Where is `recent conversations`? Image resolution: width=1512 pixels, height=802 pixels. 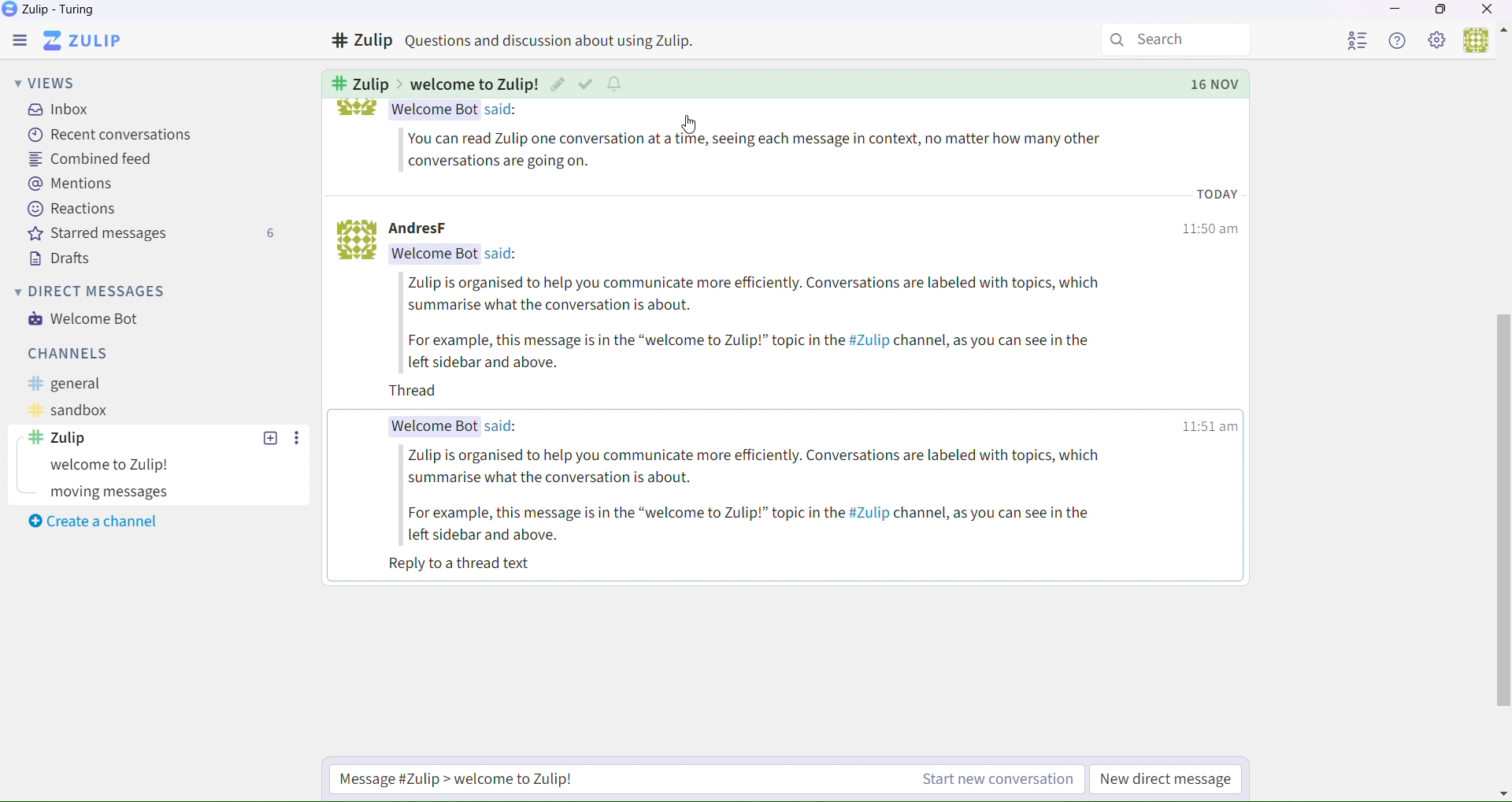 recent conversations is located at coordinates (110, 135).